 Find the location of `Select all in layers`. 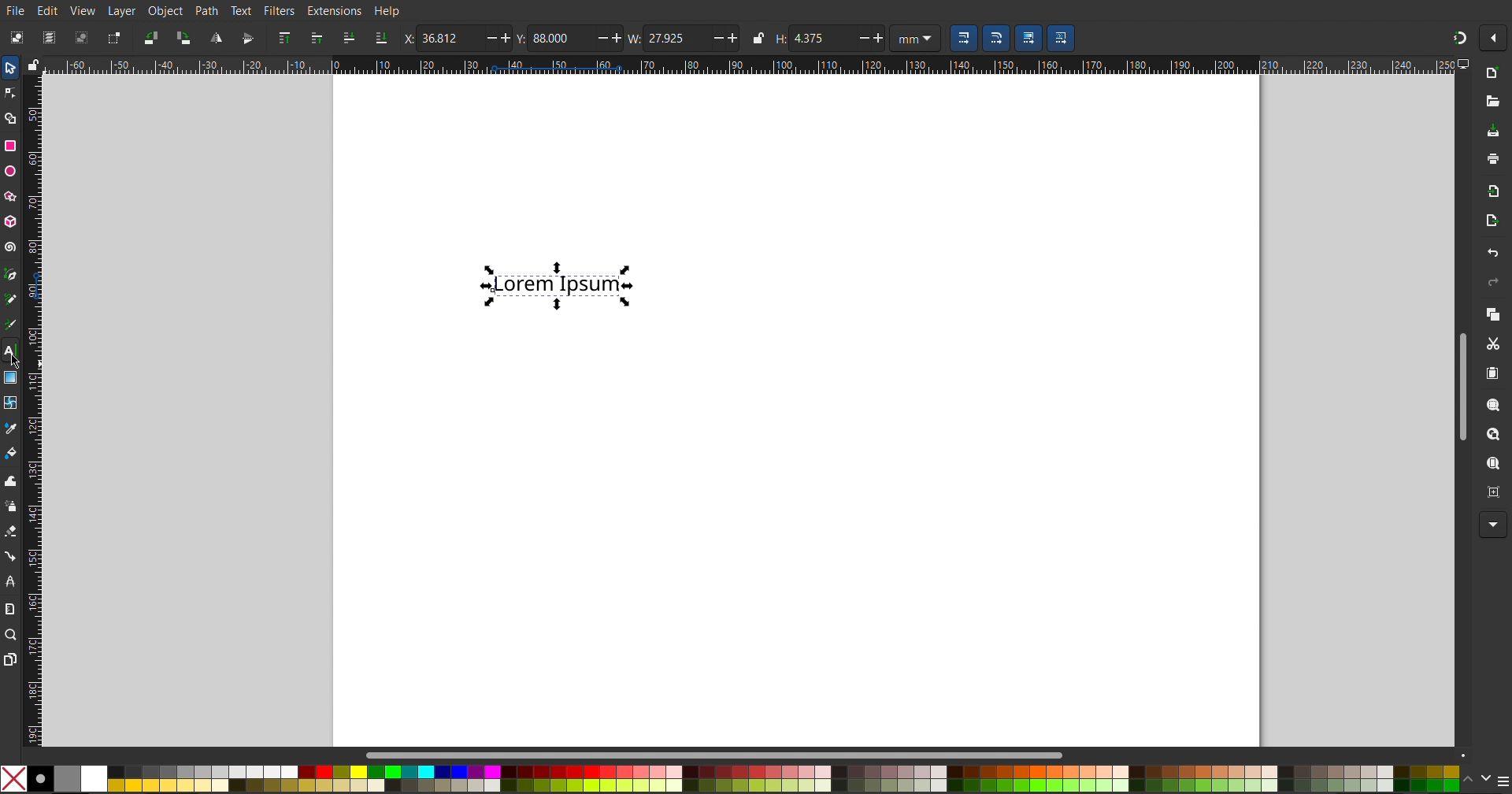

Select all in layers is located at coordinates (49, 36).